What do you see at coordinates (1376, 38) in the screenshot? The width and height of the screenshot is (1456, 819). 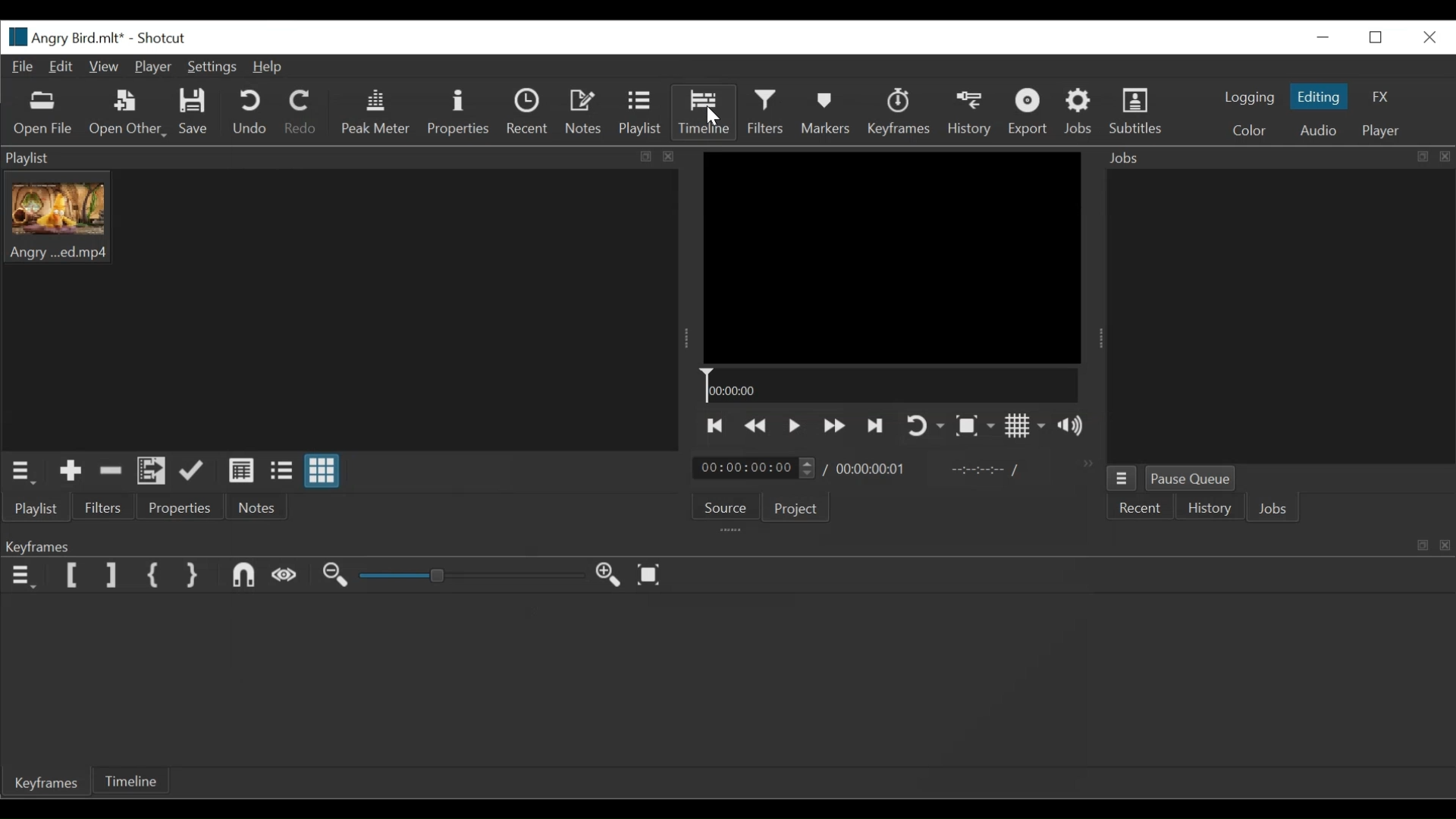 I see `Restore` at bounding box center [1376, 38].